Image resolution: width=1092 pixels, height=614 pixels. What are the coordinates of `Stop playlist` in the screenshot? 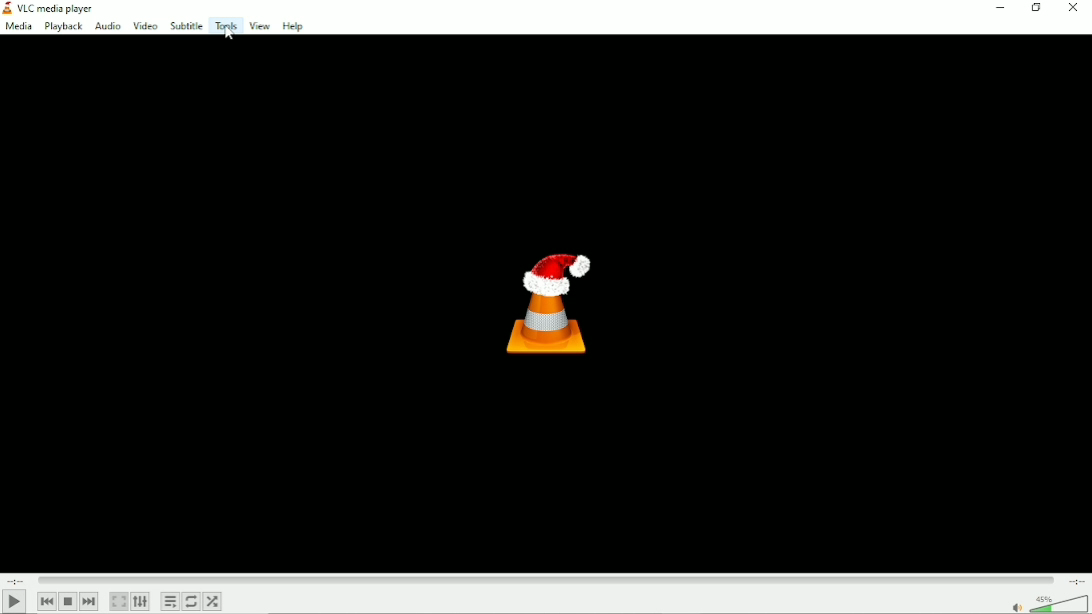 It's located at (68, 602).